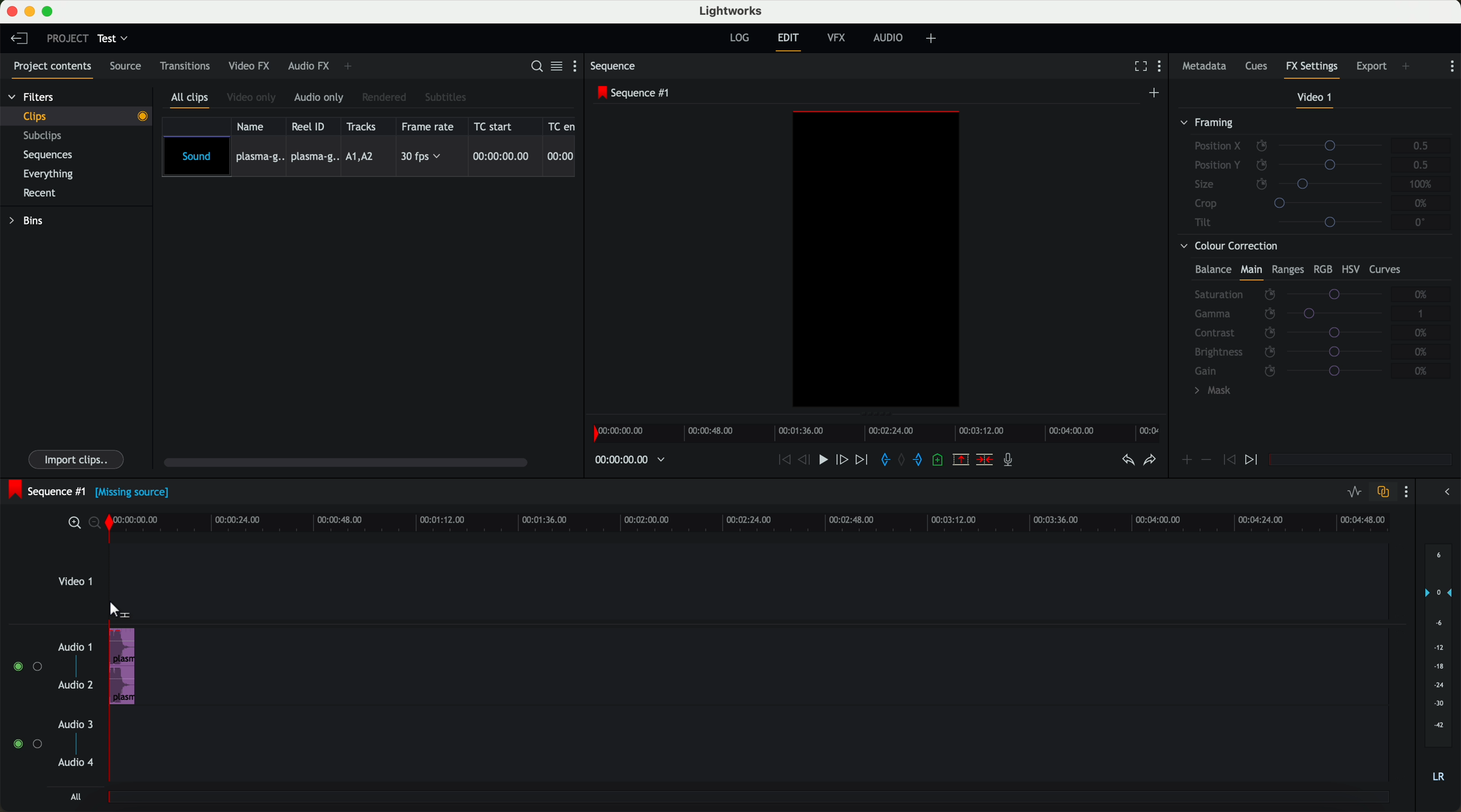 The image size is (1461, 812). What do you see at coordinates (562, 125) in the screenshot?
I see `TC en` at bounding box center [562, 125].